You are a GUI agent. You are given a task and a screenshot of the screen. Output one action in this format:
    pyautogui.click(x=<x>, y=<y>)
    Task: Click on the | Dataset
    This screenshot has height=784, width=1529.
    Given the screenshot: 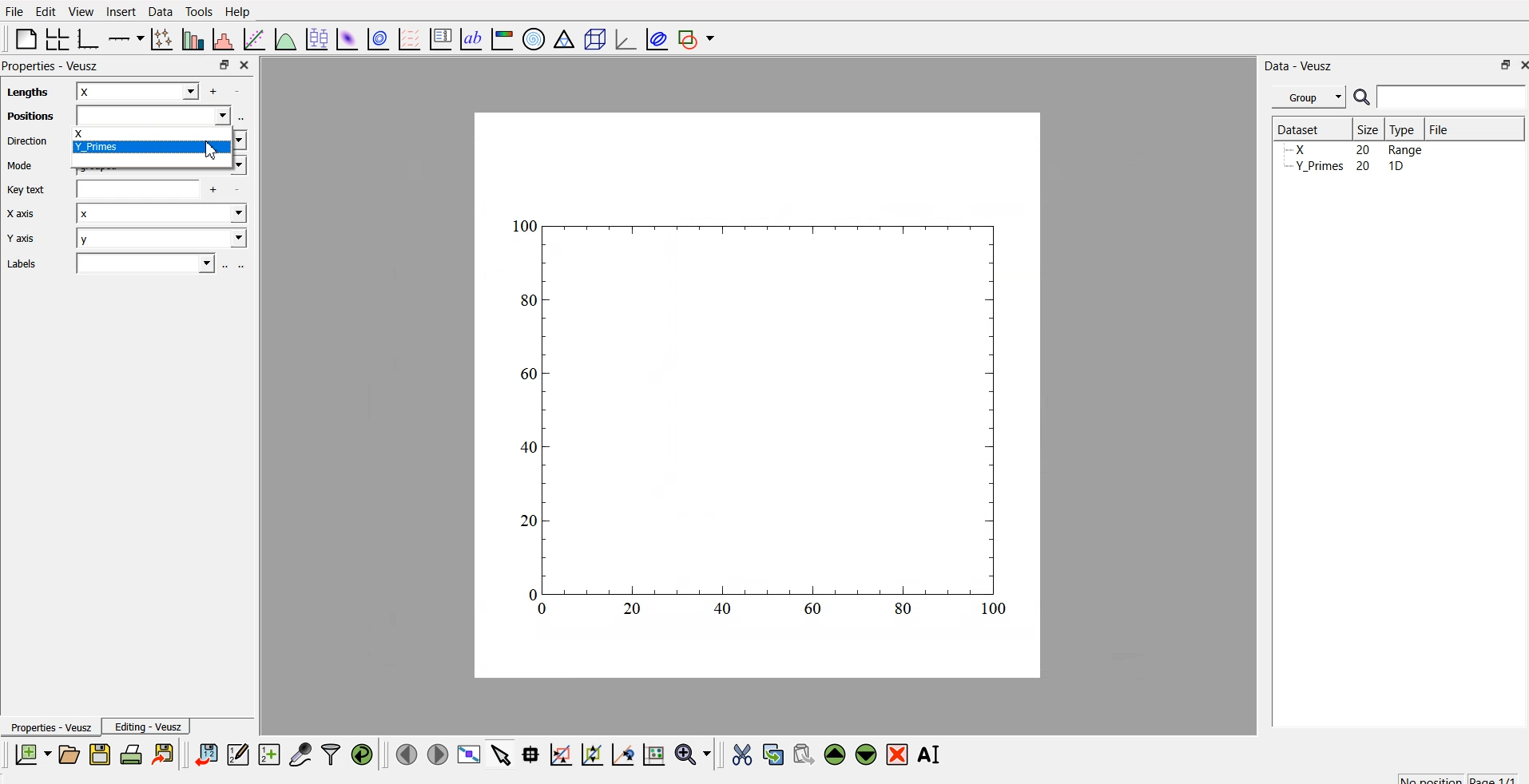 What is the action you would take?
    pyautogui.click(x=1298, y=128)
    